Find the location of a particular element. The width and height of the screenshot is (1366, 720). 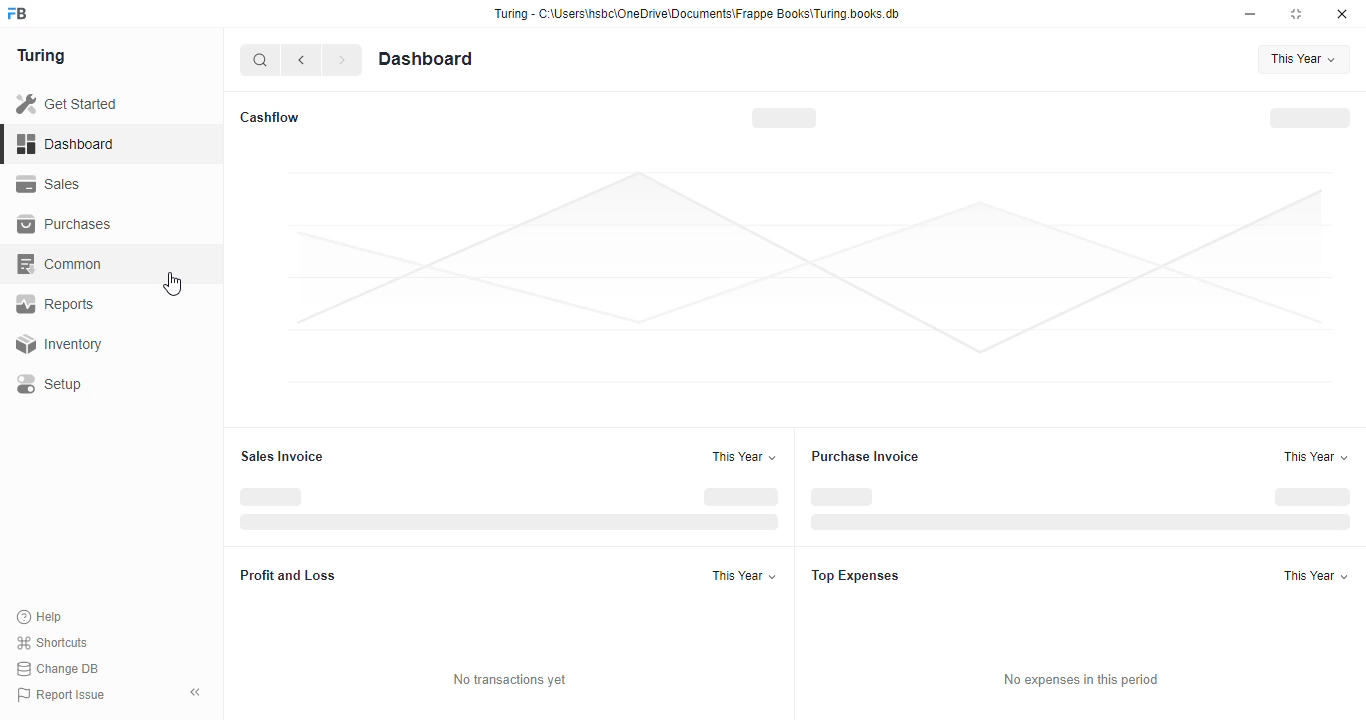

this year is located at coordinates (743, 456).